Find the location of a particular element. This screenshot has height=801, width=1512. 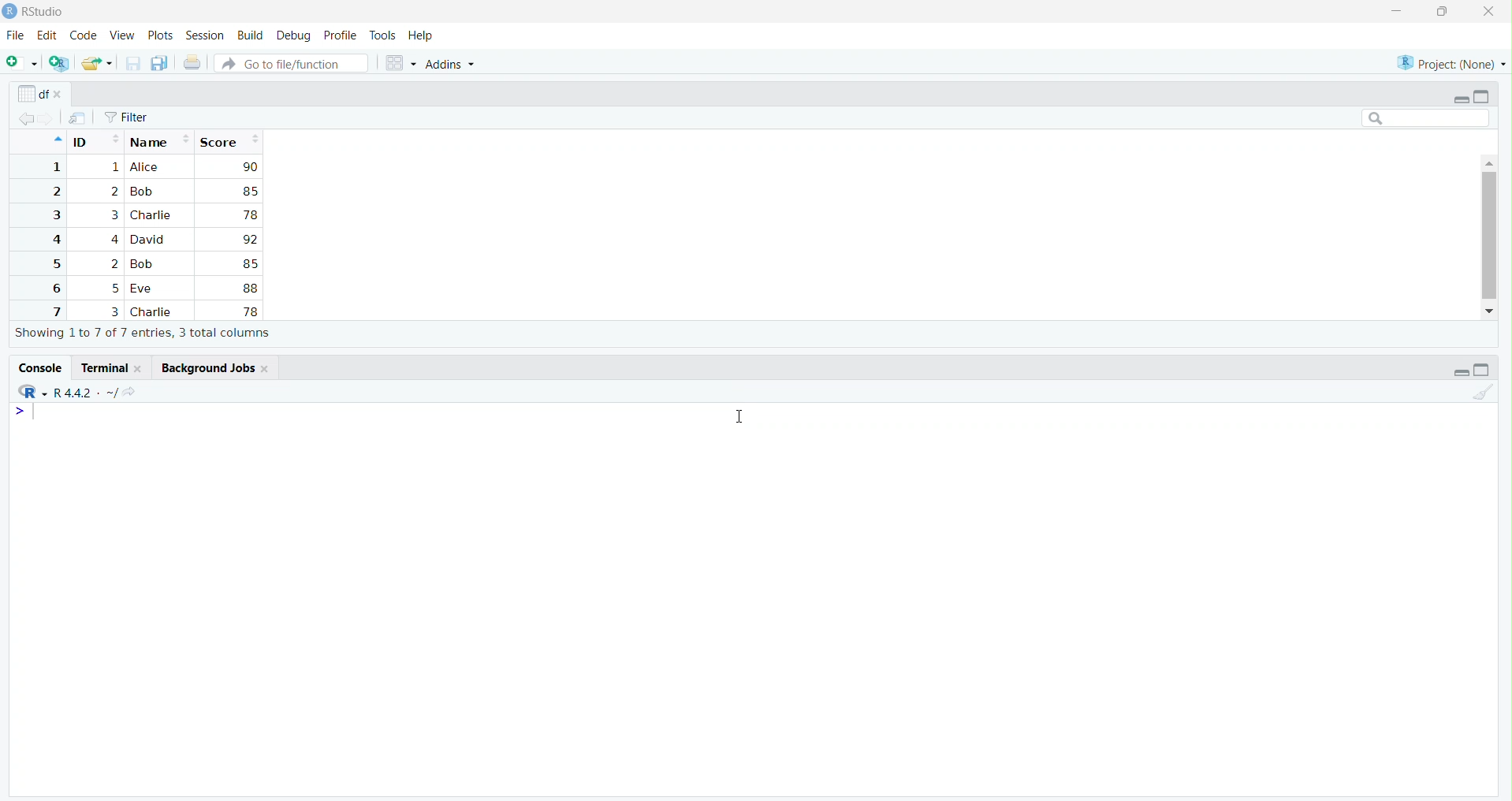

Bob is located at coordinates (146, 264).